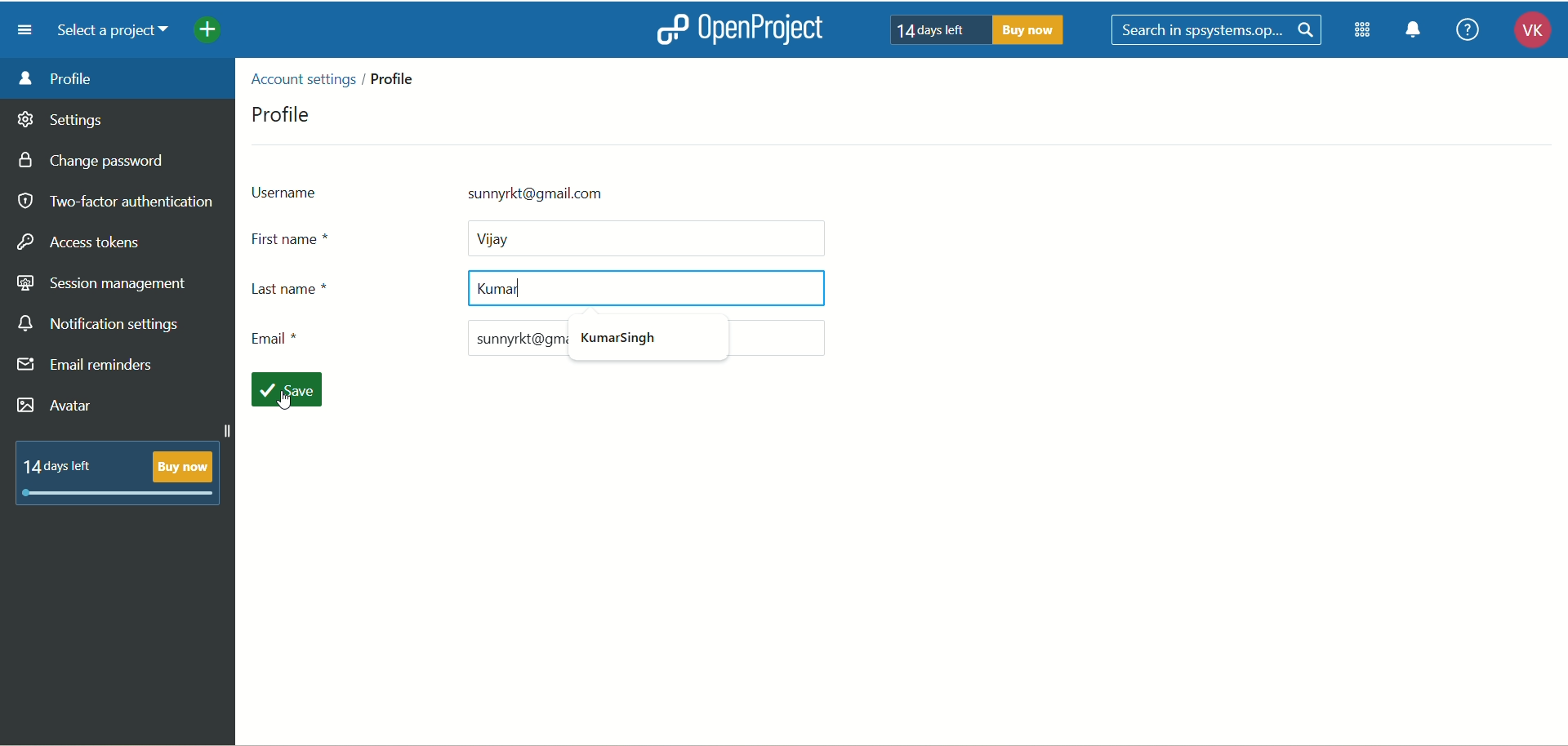 Image resolution: width=1568 pixels, height=746 pixels. What do you see at coordinates (340, 77) in the screenshot?
I see `location` at bounding box center [340, 77].